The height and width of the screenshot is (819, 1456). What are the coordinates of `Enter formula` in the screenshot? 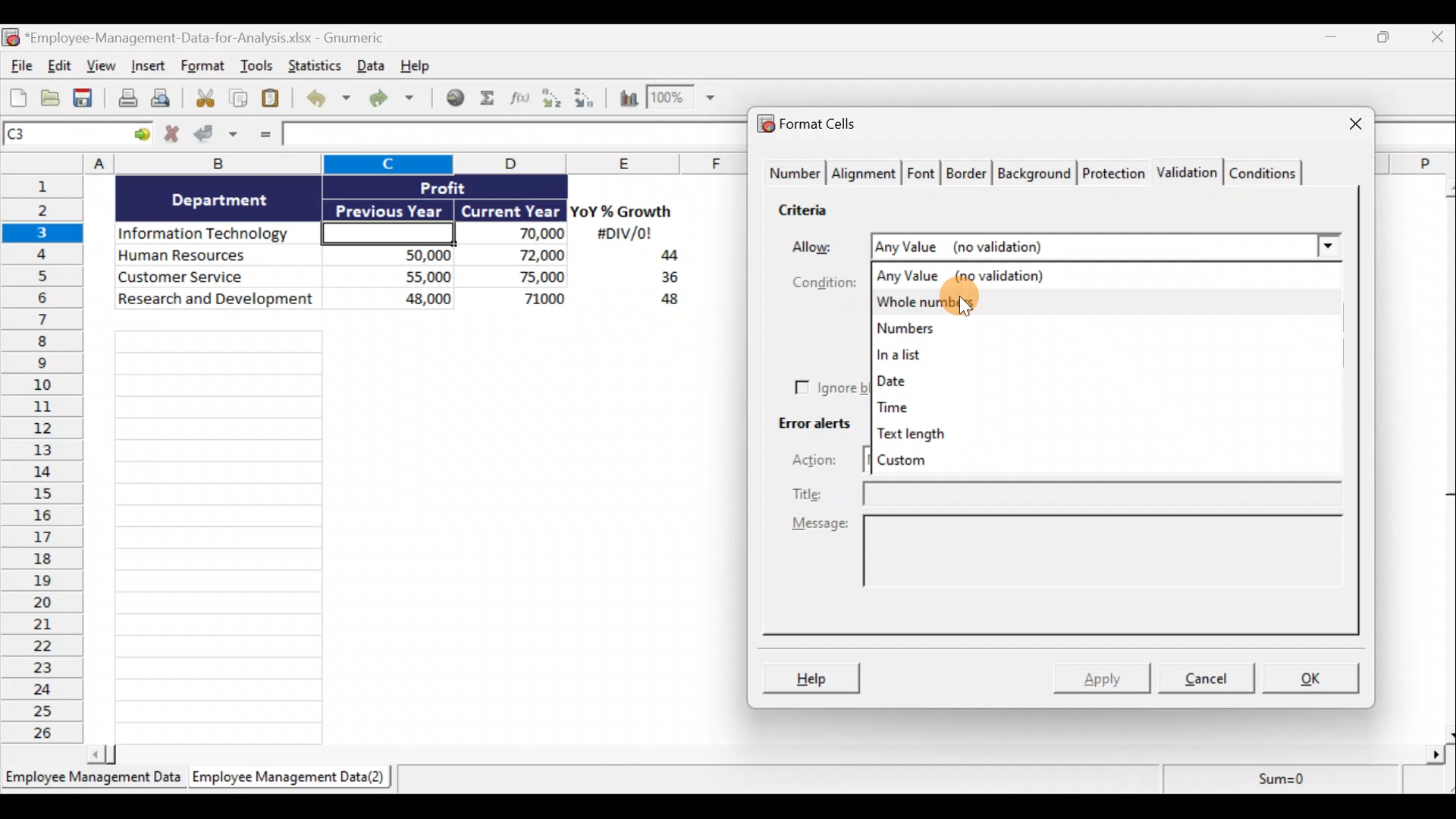 It's located at (262, 136).